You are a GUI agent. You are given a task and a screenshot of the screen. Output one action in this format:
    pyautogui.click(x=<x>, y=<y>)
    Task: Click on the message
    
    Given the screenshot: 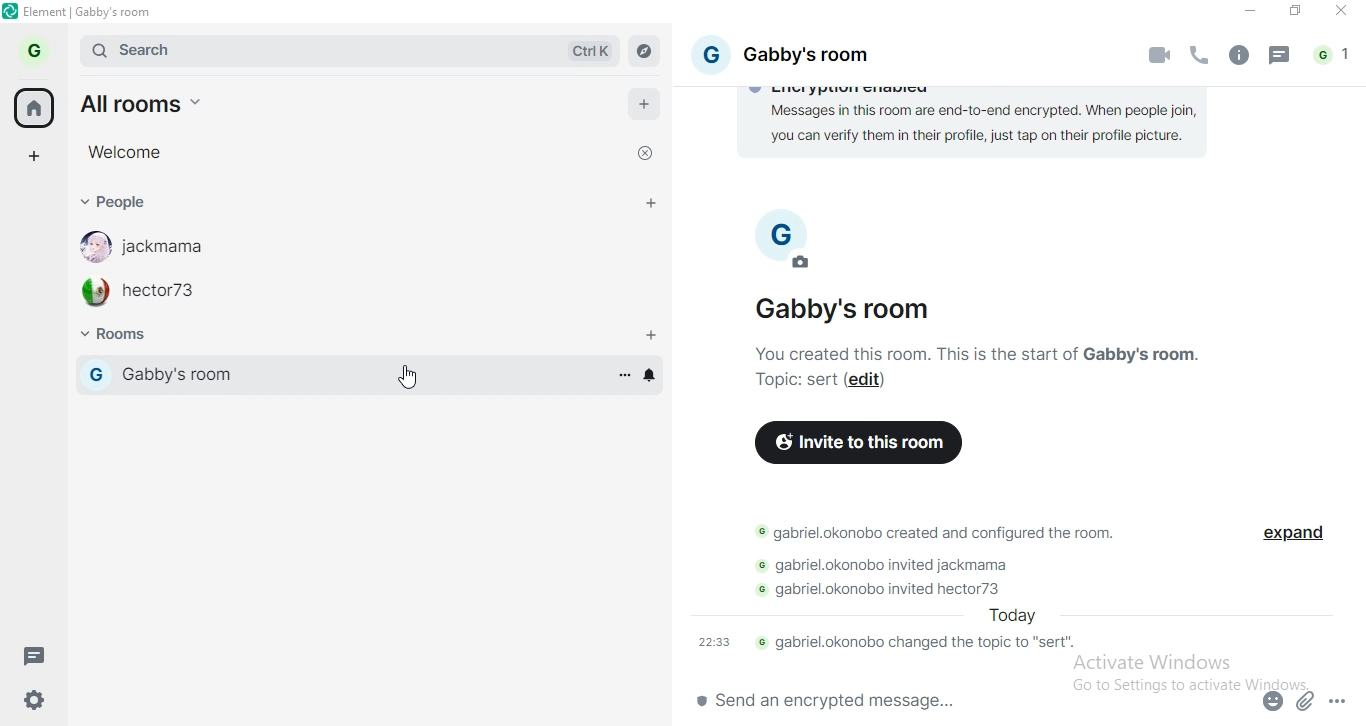 What is the action you would take?
    pyautogui.click(x=40, y=658)
    